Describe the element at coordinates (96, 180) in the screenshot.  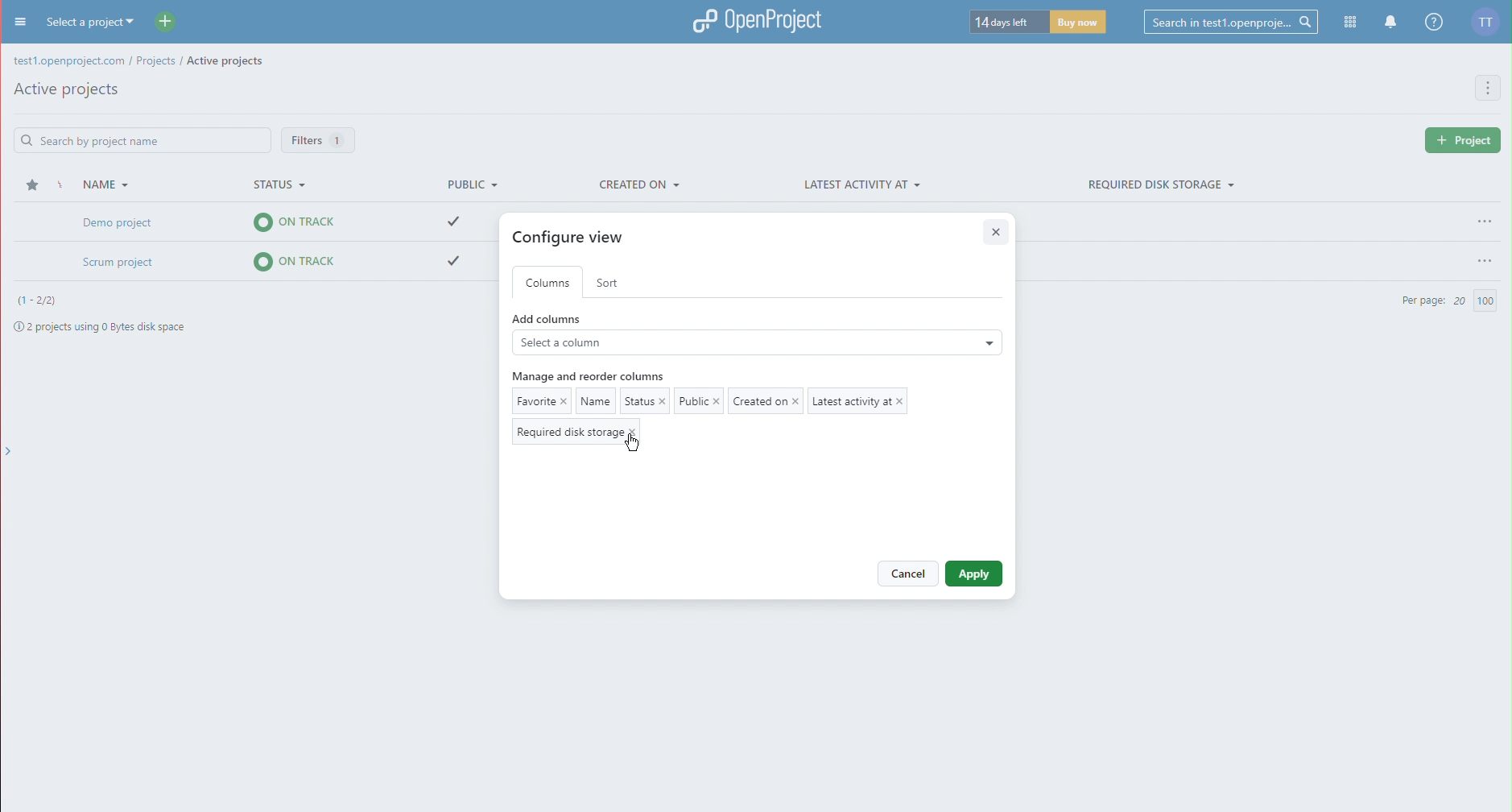
I see `Name` at that location.